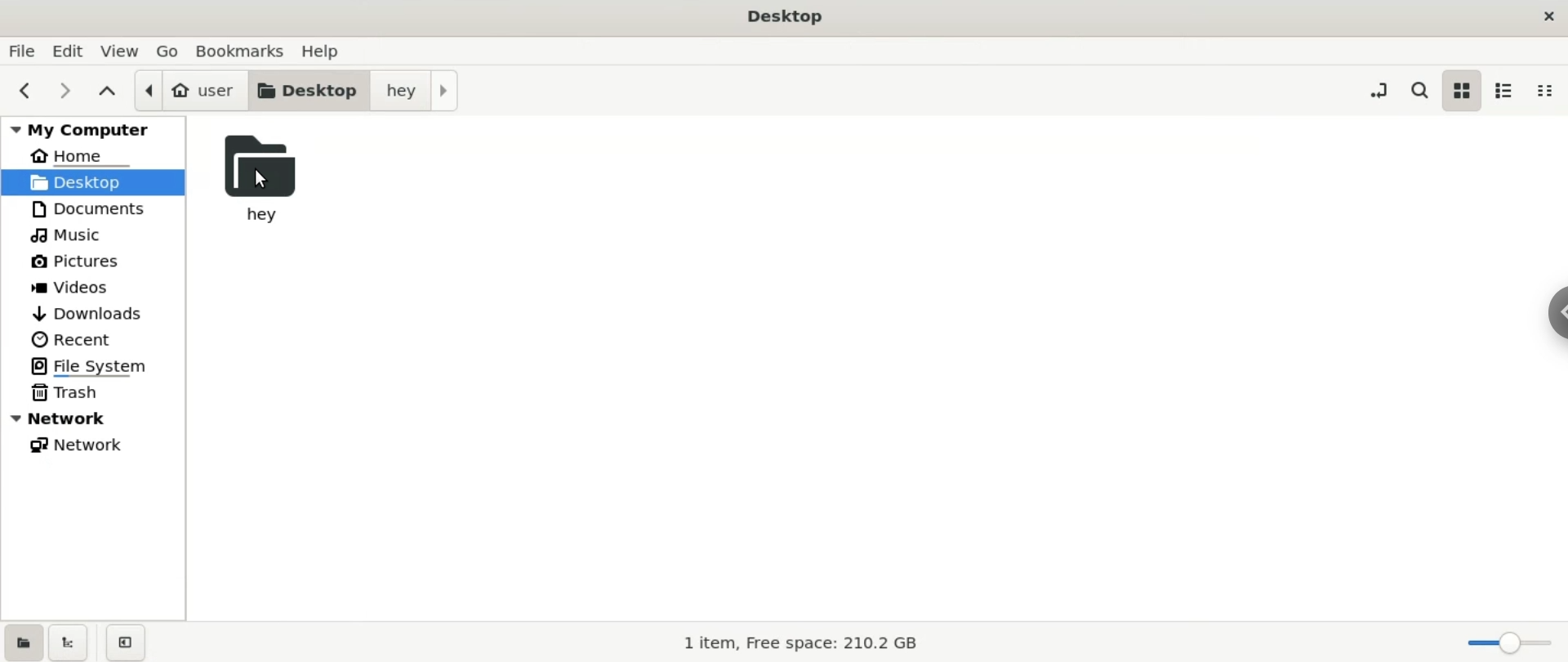 This screenshot has width=1568, height=662. What do you see at coordinates (93, 365) in the screenshot?
I see `file system` at bounding box center [93, 365].